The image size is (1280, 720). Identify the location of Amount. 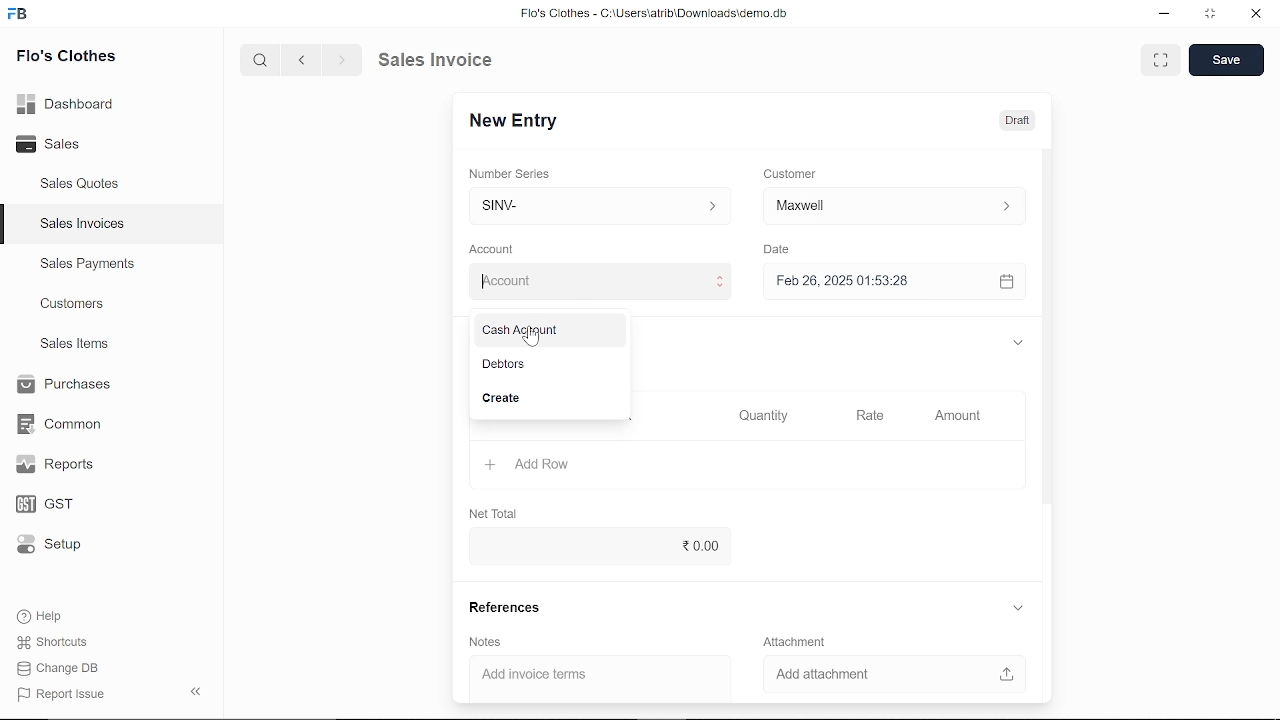
(958, 416).